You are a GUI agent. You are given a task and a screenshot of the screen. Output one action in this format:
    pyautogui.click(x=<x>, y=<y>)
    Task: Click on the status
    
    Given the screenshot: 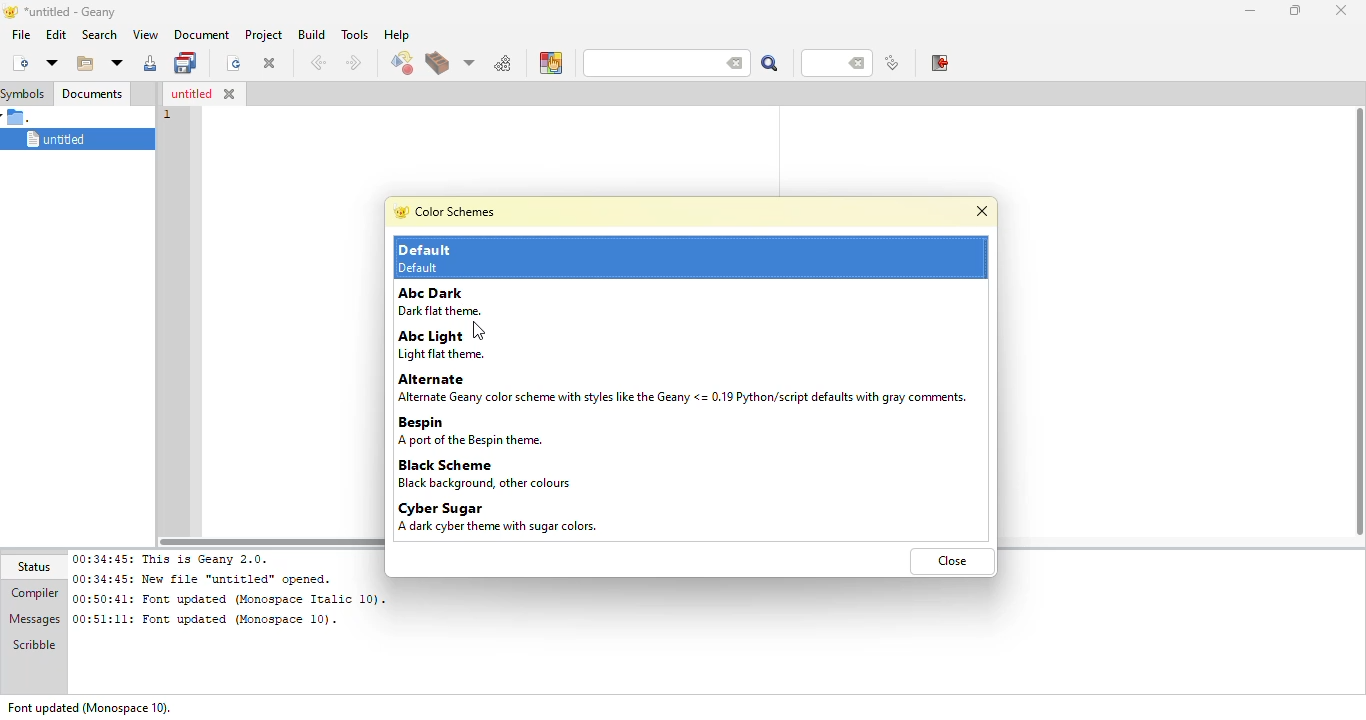 What is the action you would take?
    pyautogui.click(x=38, y=567)
    